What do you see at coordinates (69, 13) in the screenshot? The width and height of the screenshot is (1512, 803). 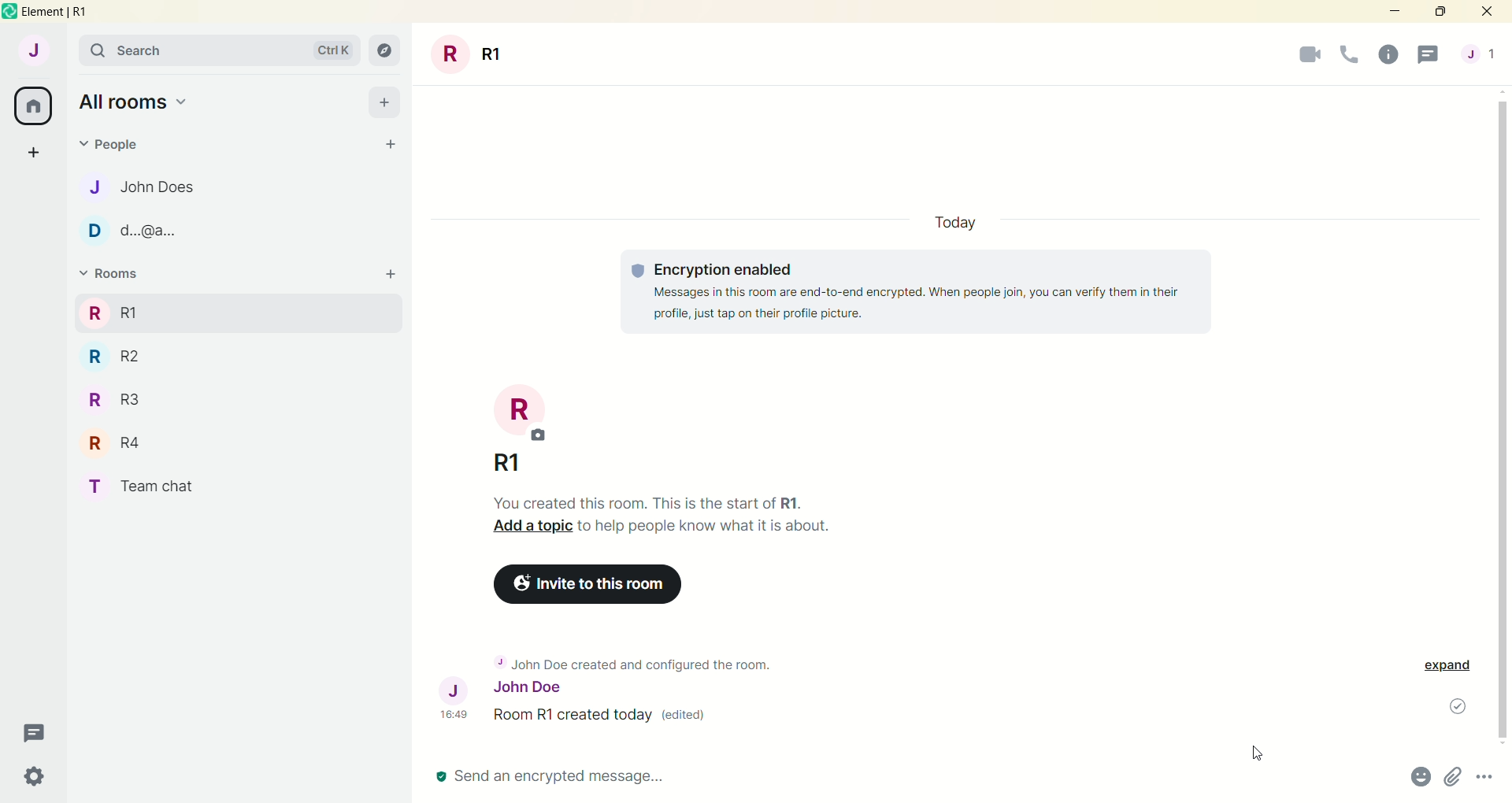 I see `element` at bounding box center [69, 13].